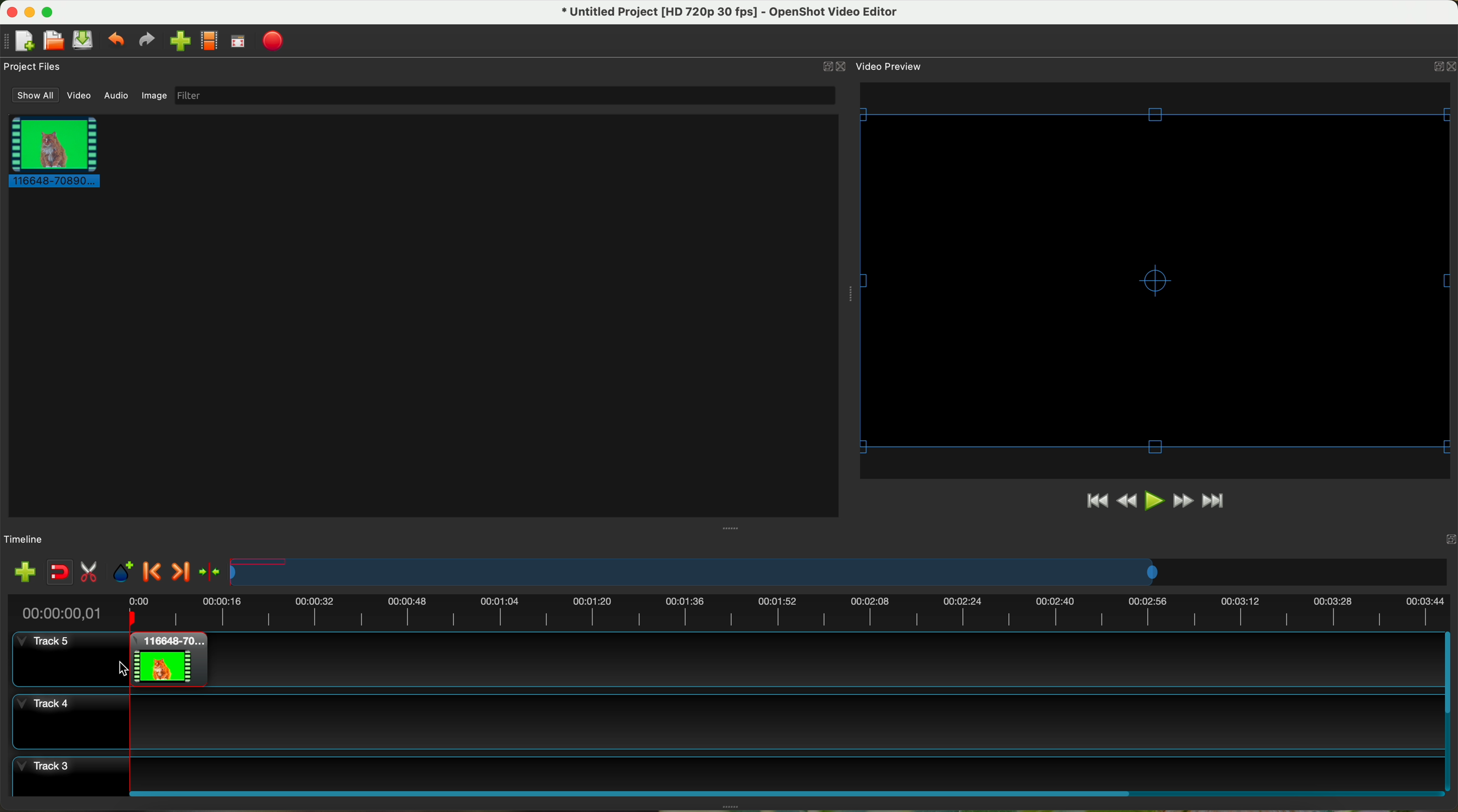  What do you see at coordinates (504, 95) in the screenshot?
I see `filter` at bounding box center [504, 95].